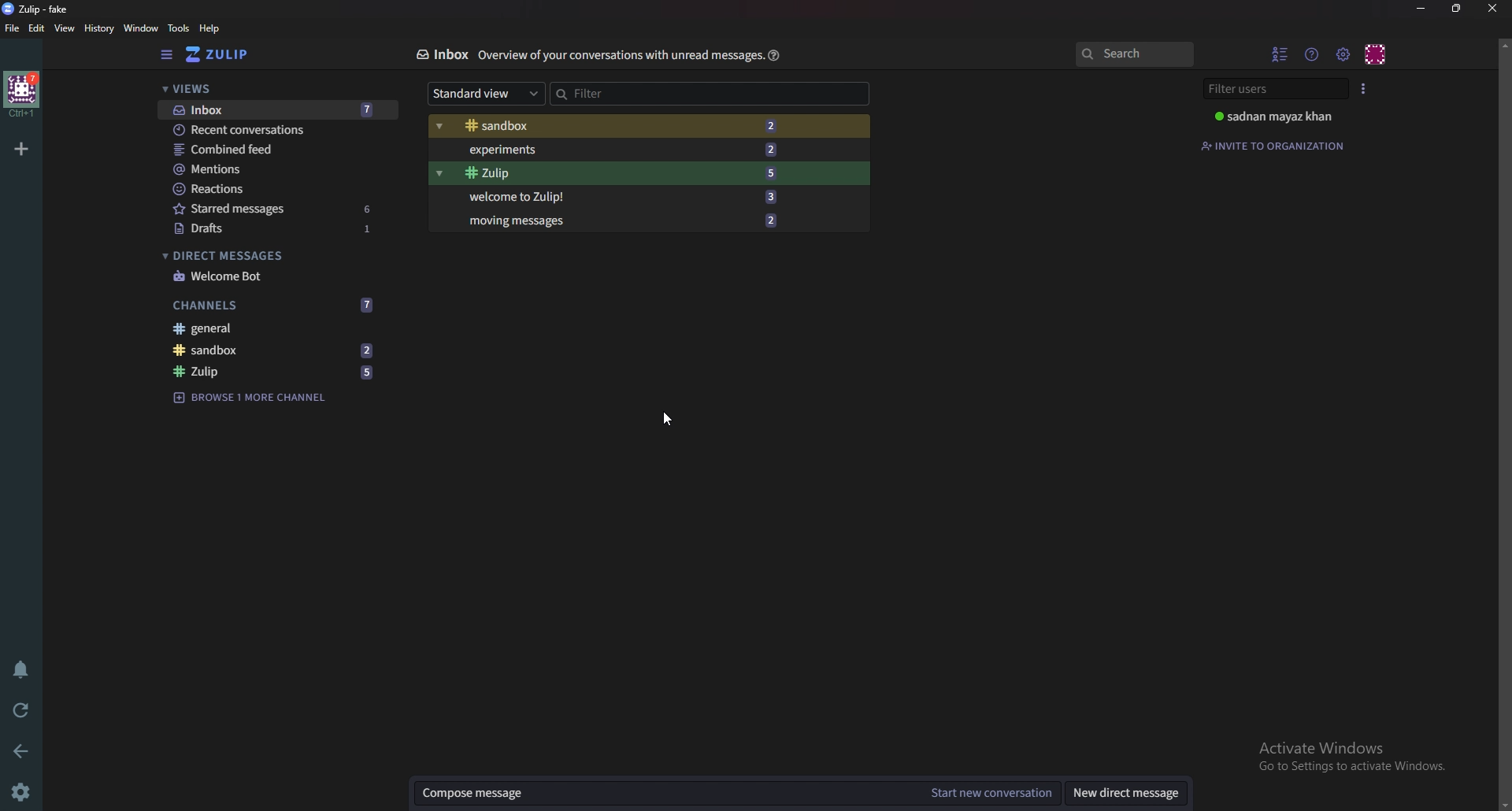 The image size is (1512, 811). I want to click on # Sandbox, so click(553, 127).